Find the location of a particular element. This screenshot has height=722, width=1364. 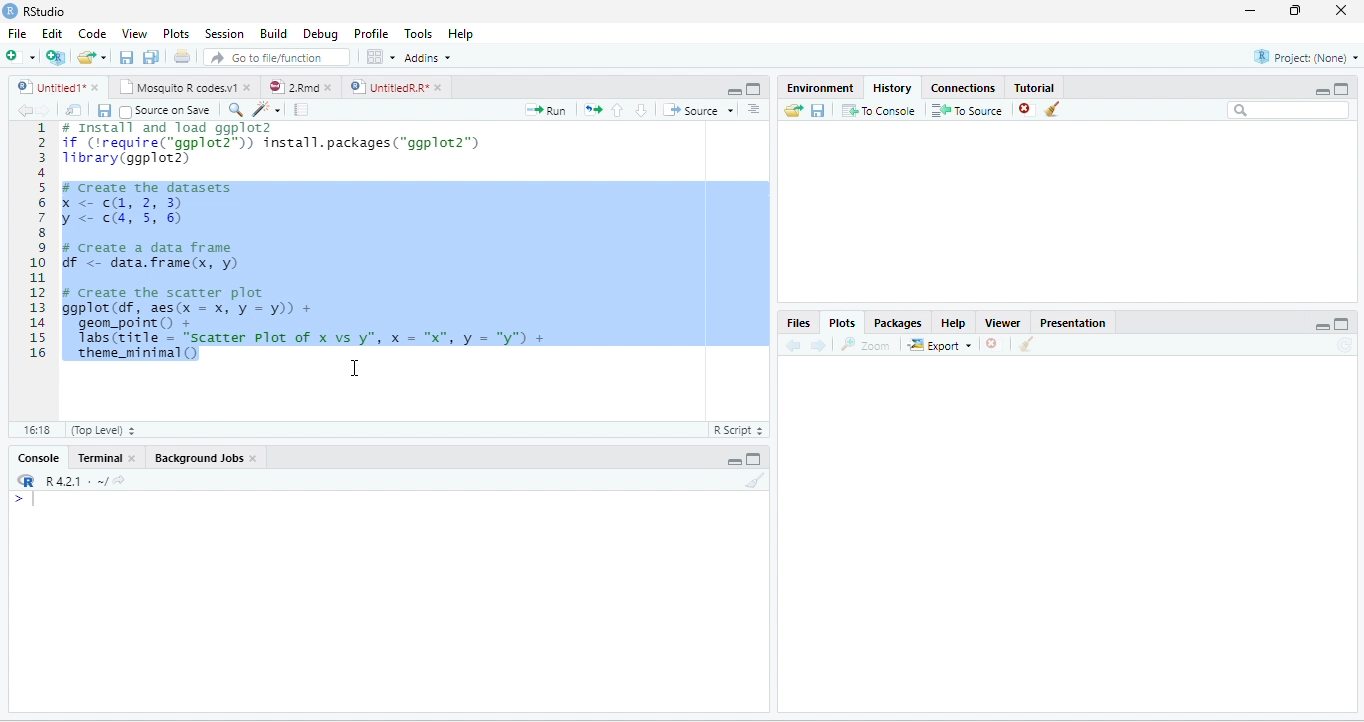

Workspace panes is located at coordinates (379, 56).